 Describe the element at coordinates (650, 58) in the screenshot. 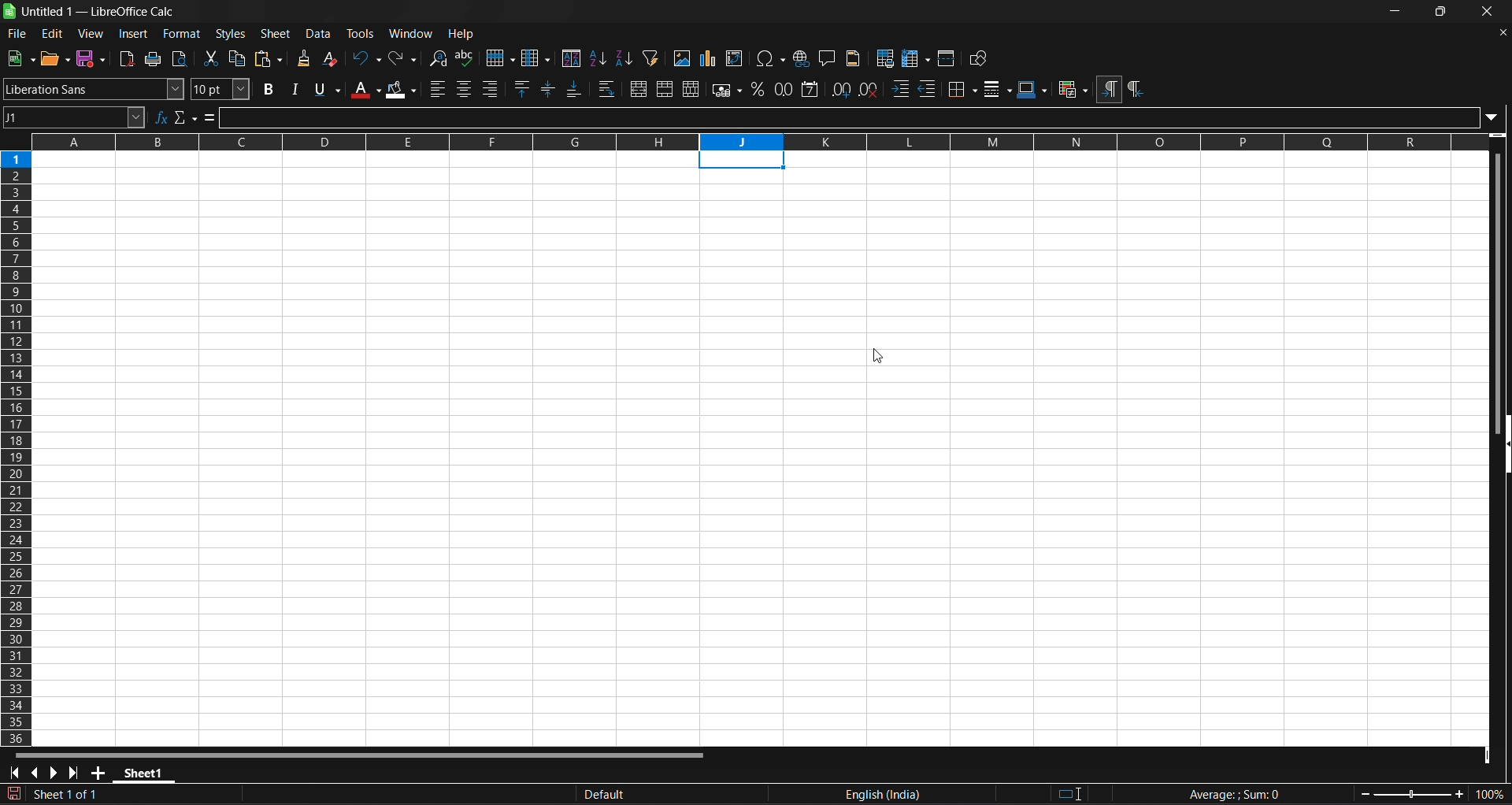

I see `auto filter ` at that location.